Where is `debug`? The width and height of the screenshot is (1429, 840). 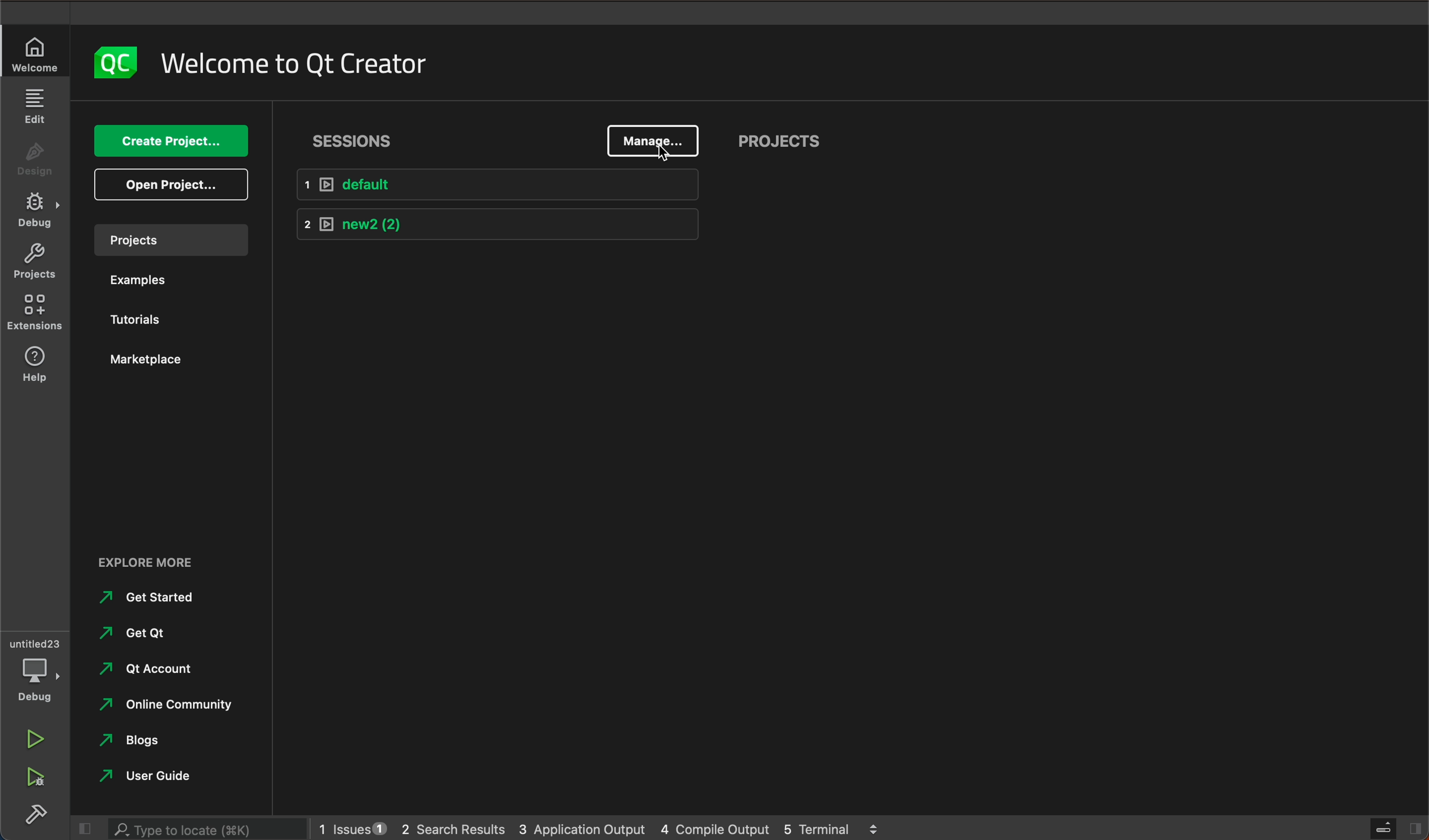
debug is located at coordinates (37, 209).